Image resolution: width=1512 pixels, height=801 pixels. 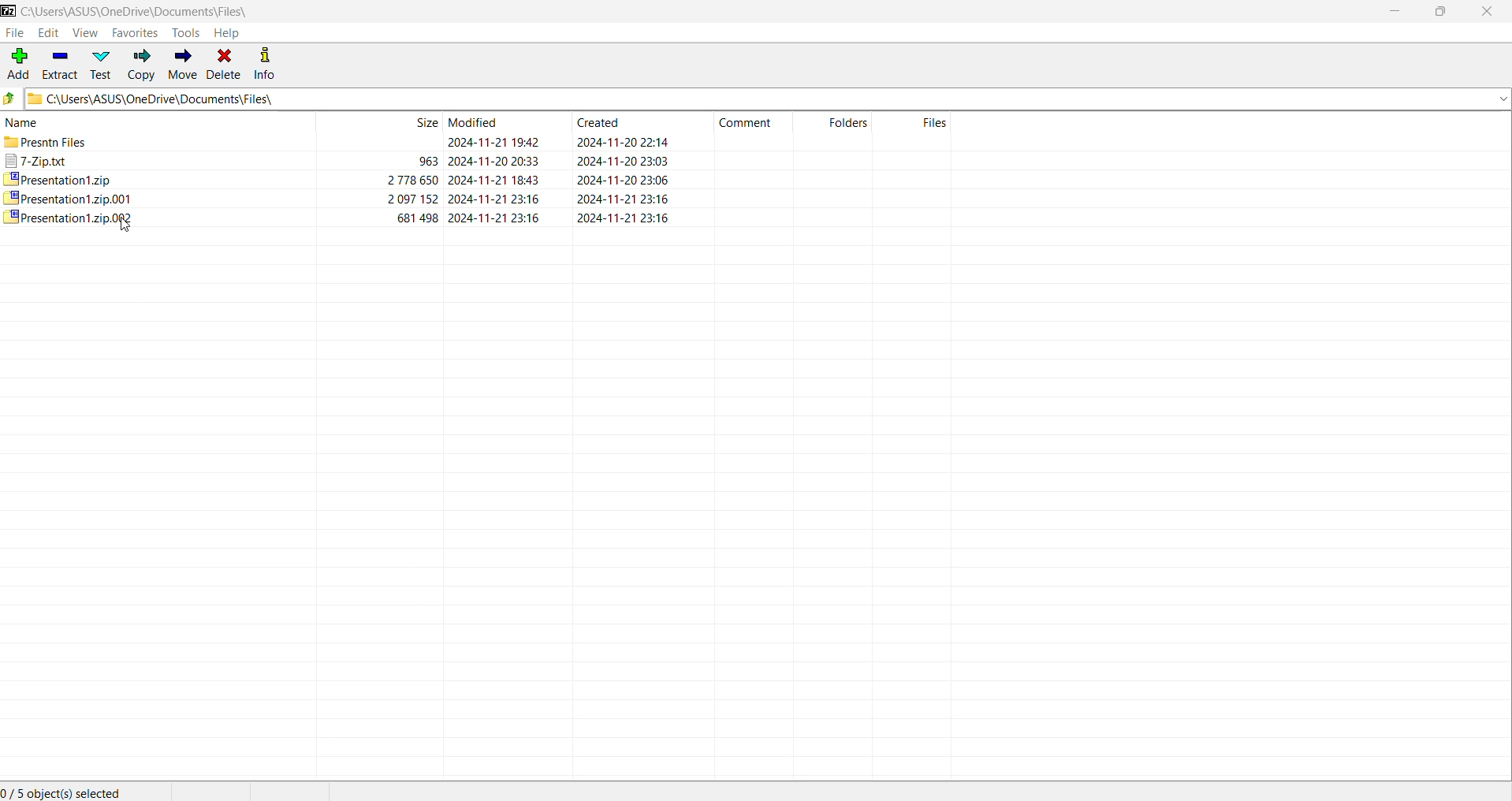 What do you see at coordinates (15, 33) in the screenshot?
I see `File` at bounding box center [15, 33].